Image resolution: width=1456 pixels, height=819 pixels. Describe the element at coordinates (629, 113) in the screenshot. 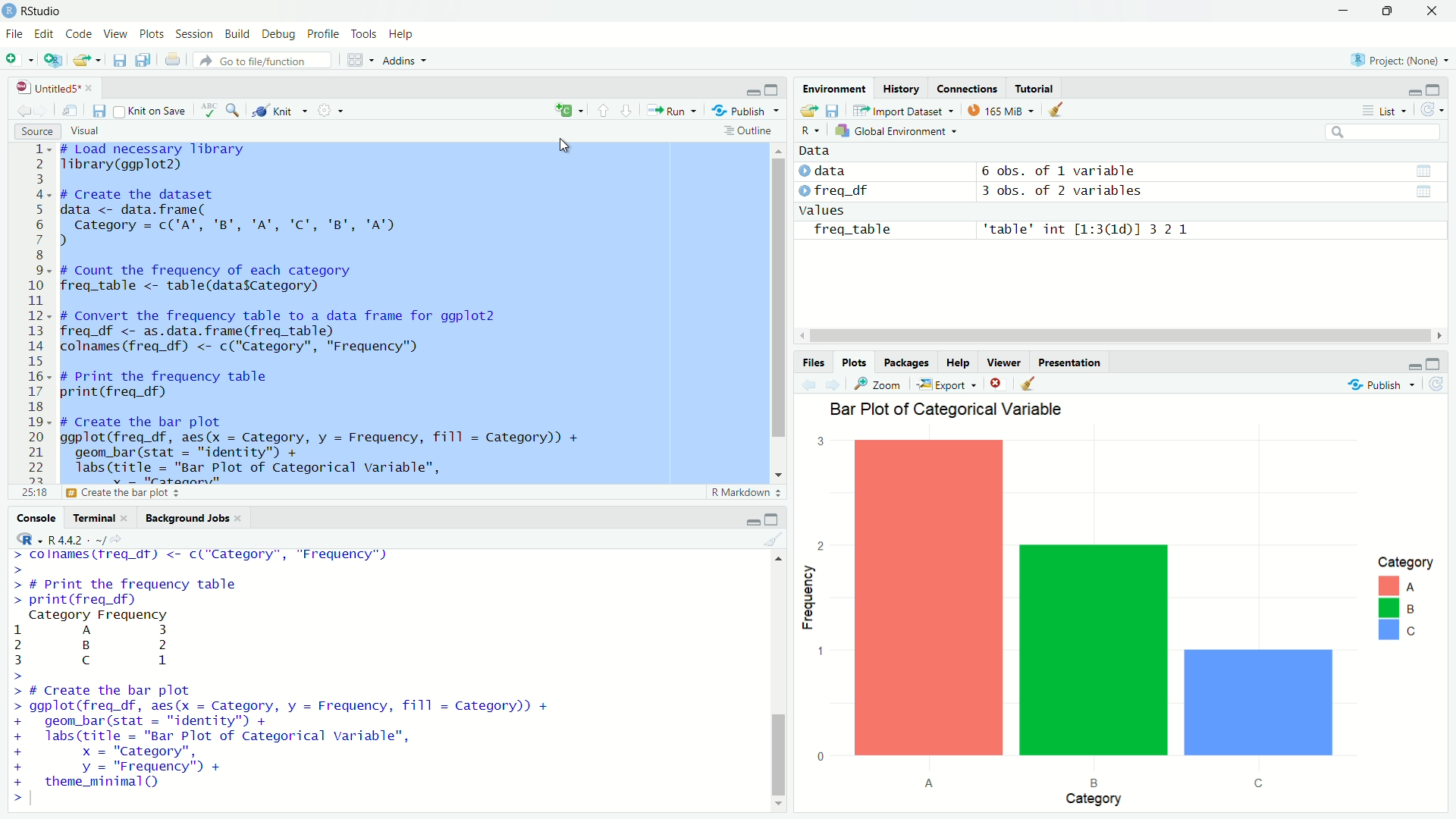

I see `next section` at that location.